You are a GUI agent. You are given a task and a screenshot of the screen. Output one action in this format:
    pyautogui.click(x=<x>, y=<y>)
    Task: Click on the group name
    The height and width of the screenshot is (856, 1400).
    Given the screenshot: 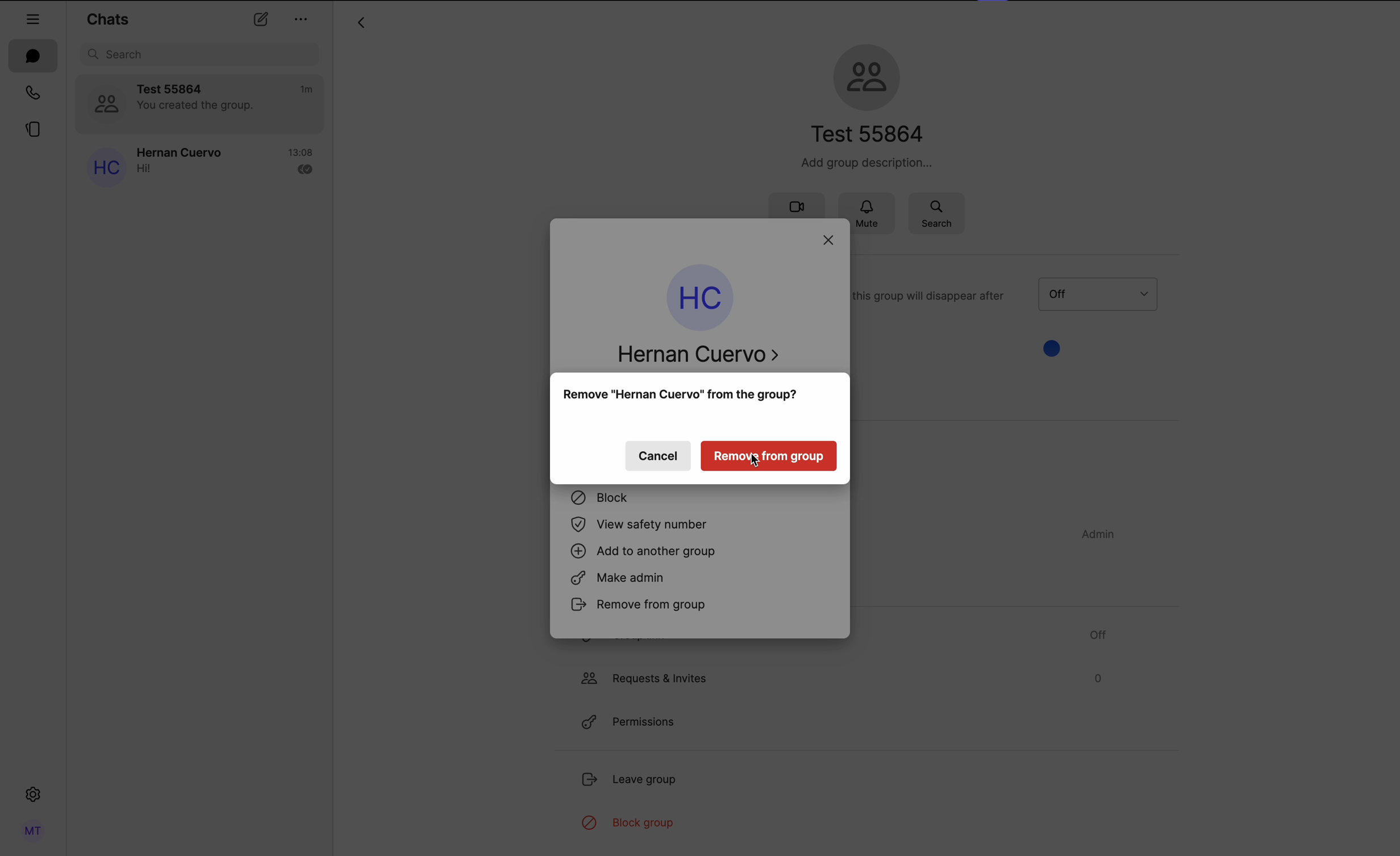 What is the action you would take?
    pyautogui.click(x=866, y=105)
    